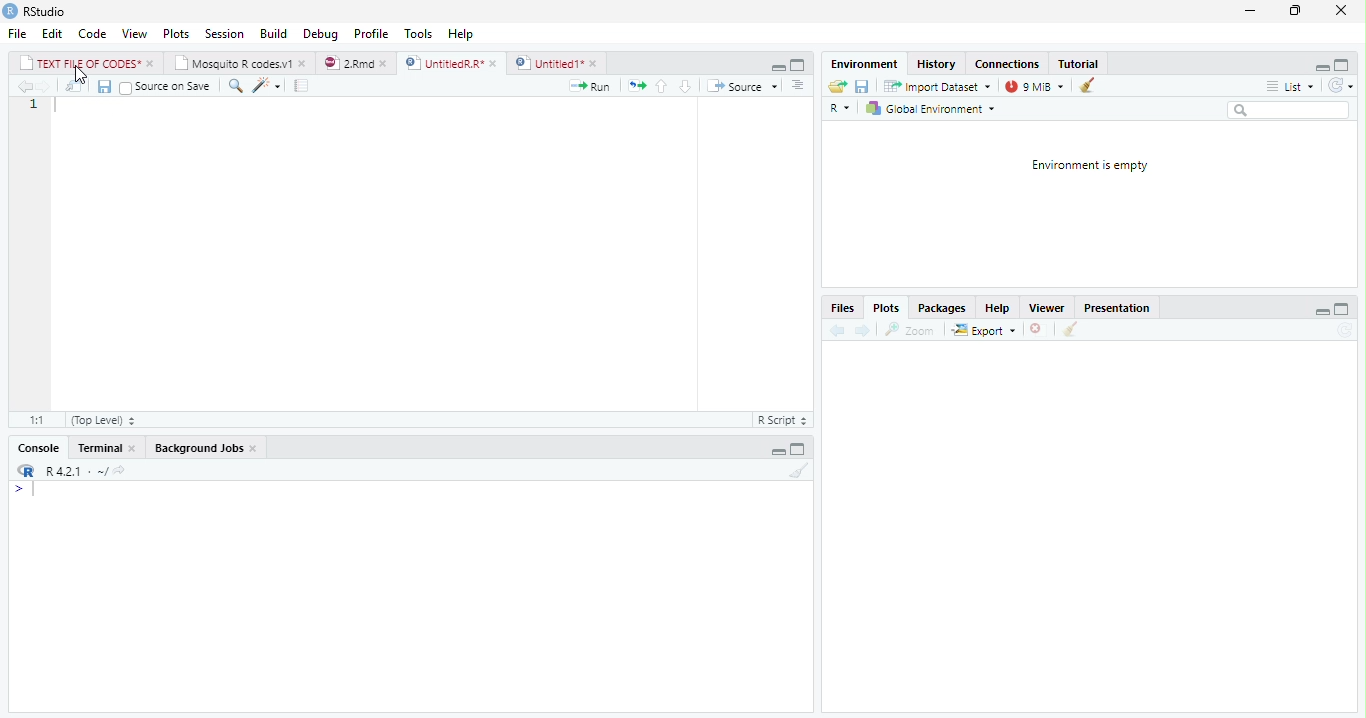  Describe the element at coordinates (15, 35) in the screenshot. I see `File` at that location.